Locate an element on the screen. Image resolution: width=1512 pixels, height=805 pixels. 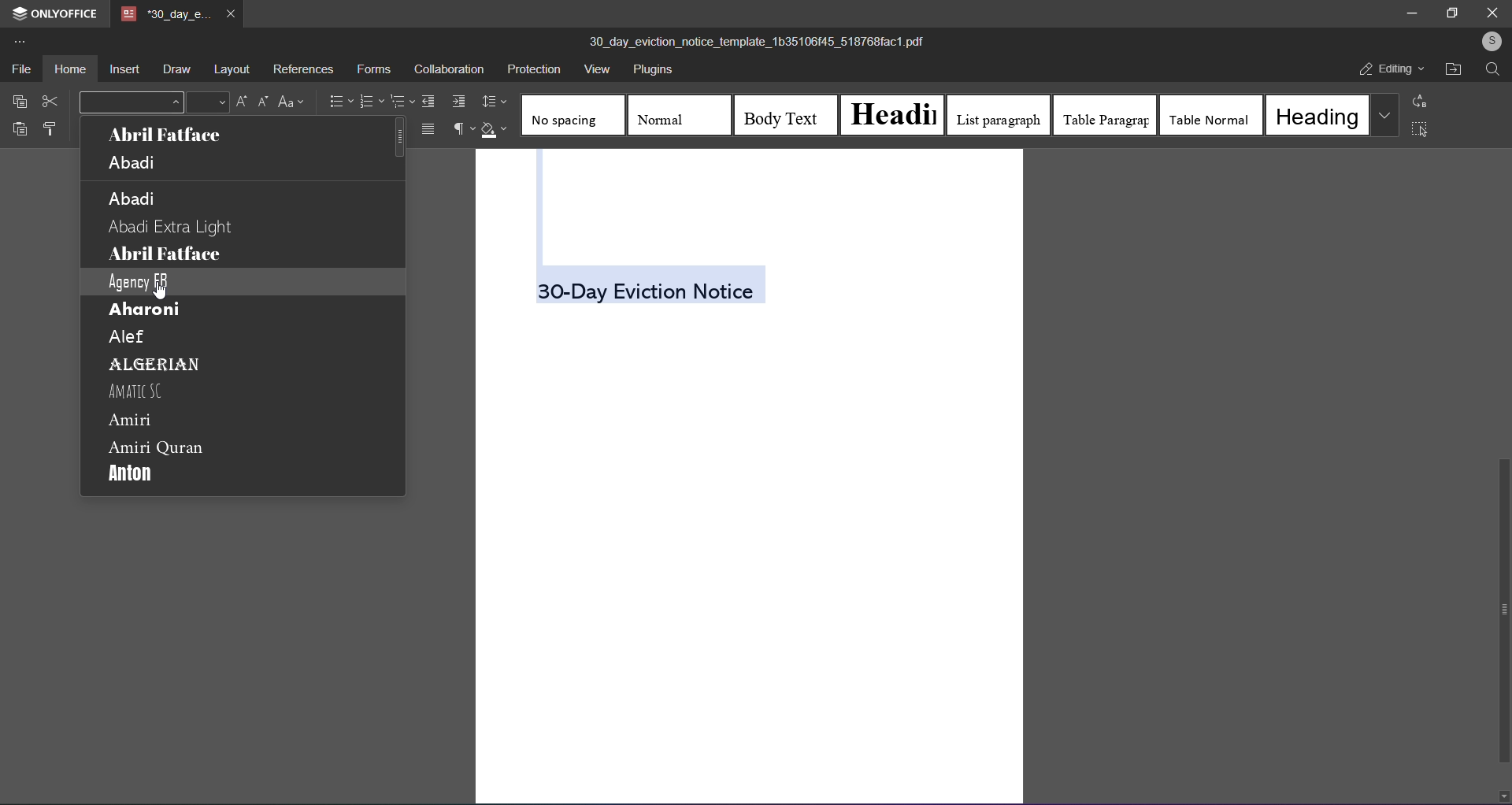
algerian is located at coordinates (161, 367).